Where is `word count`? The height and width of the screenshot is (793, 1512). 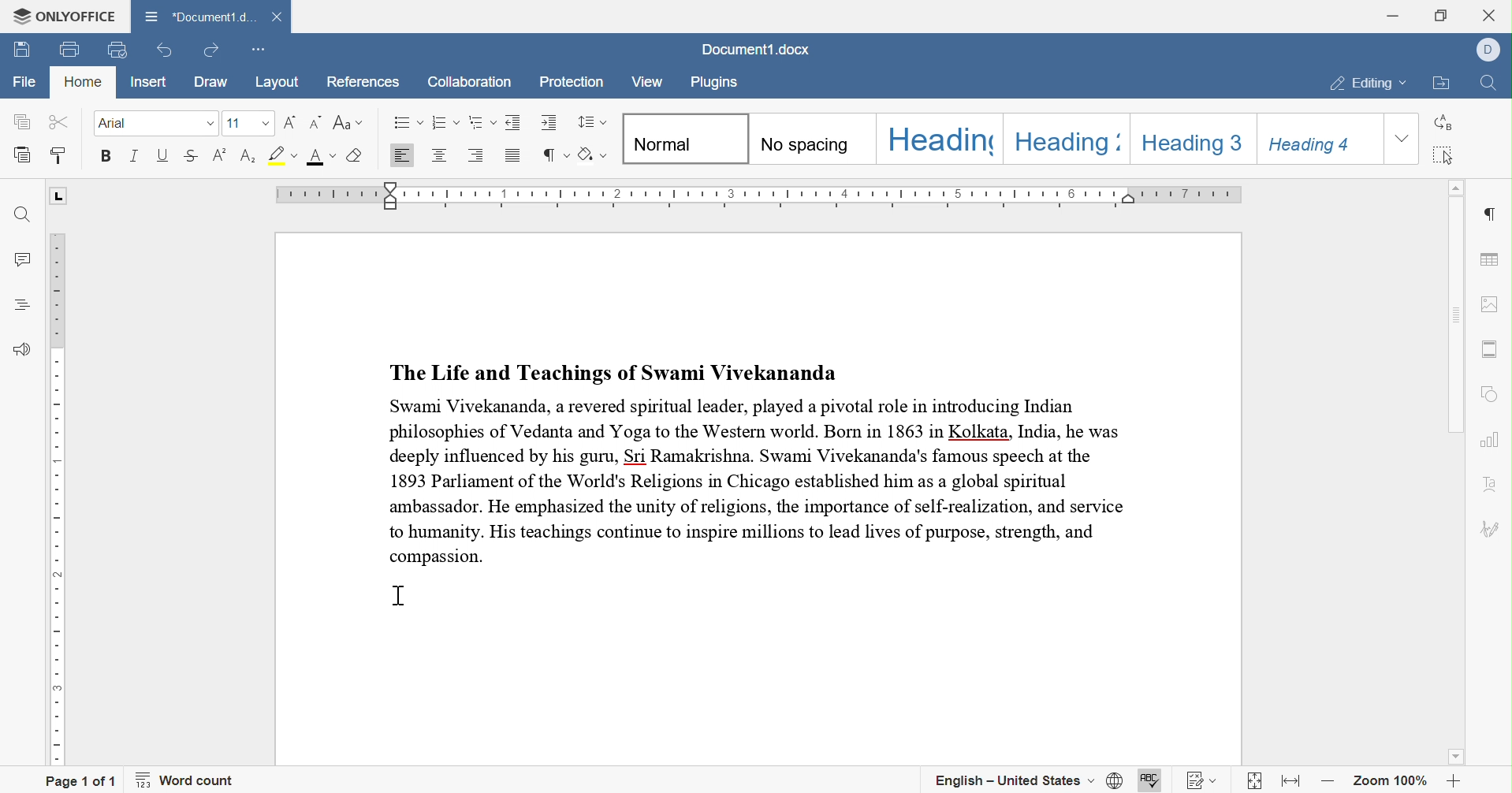
word count is located at coordinates (185, 780).